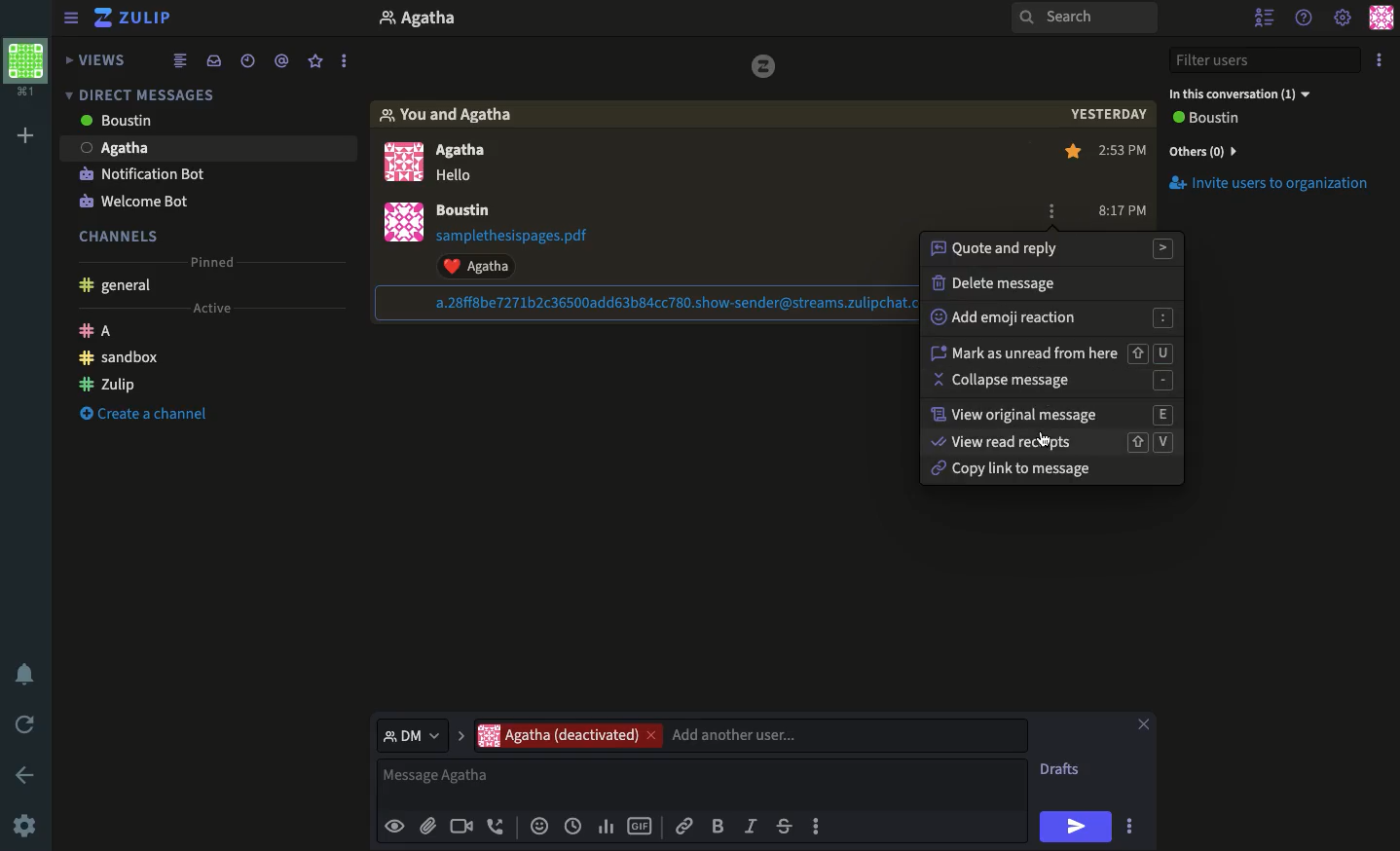 Image resolution: width=1400 pixels, height=851 pixels. Describe the element at coordinates (136, 19) in the screenshot. I see `Zulip` at that location.